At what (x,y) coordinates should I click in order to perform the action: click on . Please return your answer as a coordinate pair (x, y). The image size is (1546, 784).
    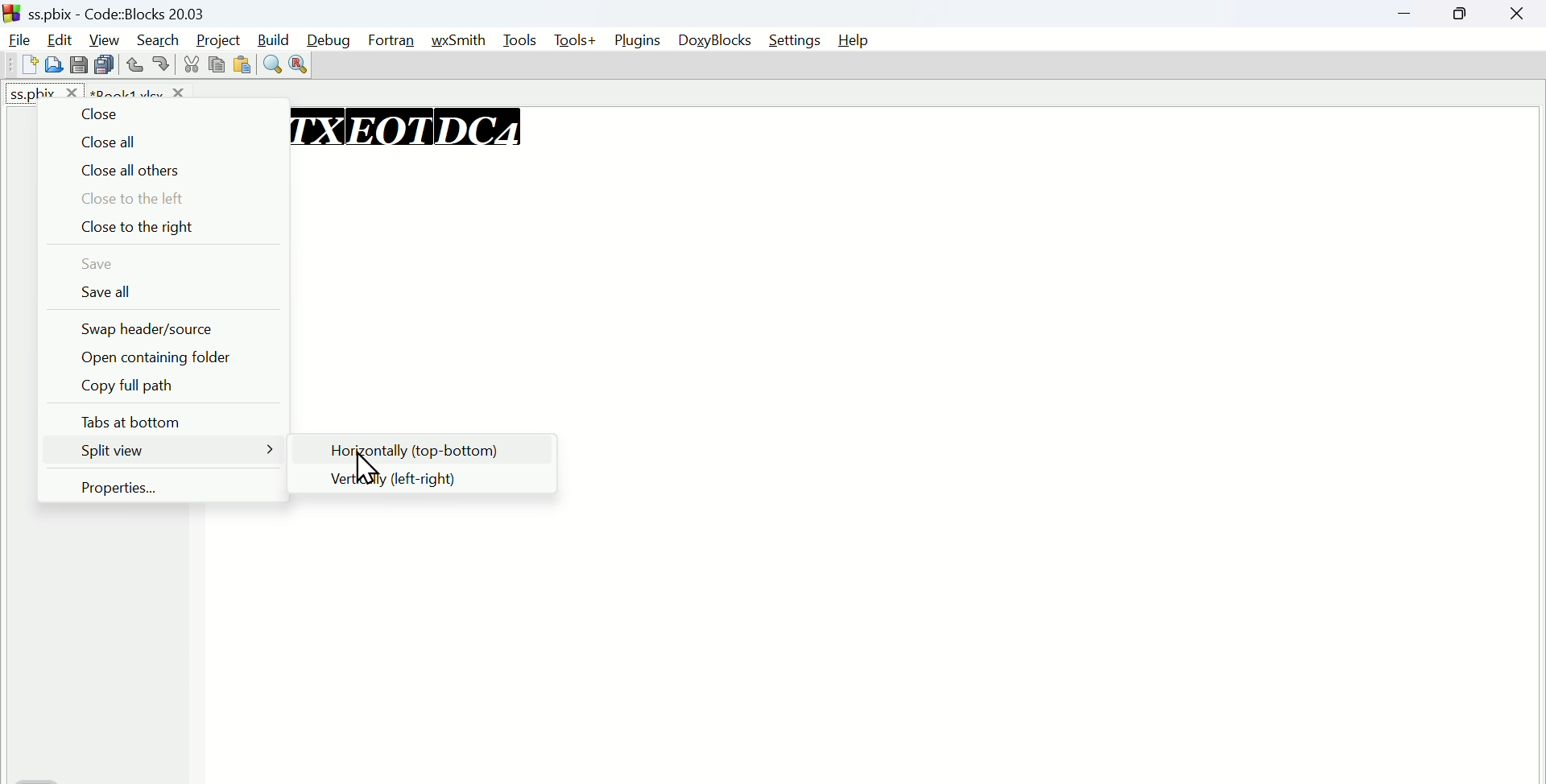
    Looking at the image, I should click on (523, 40).